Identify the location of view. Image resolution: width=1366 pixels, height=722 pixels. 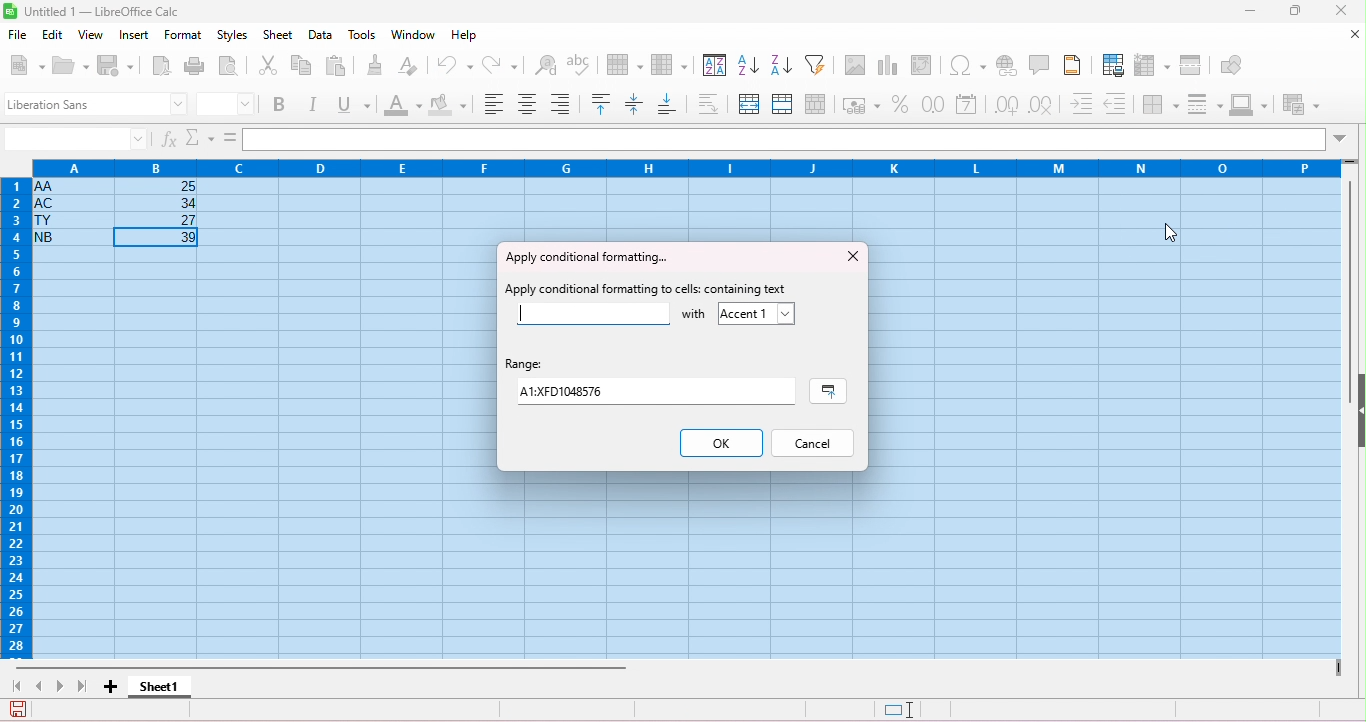
(90, 36).